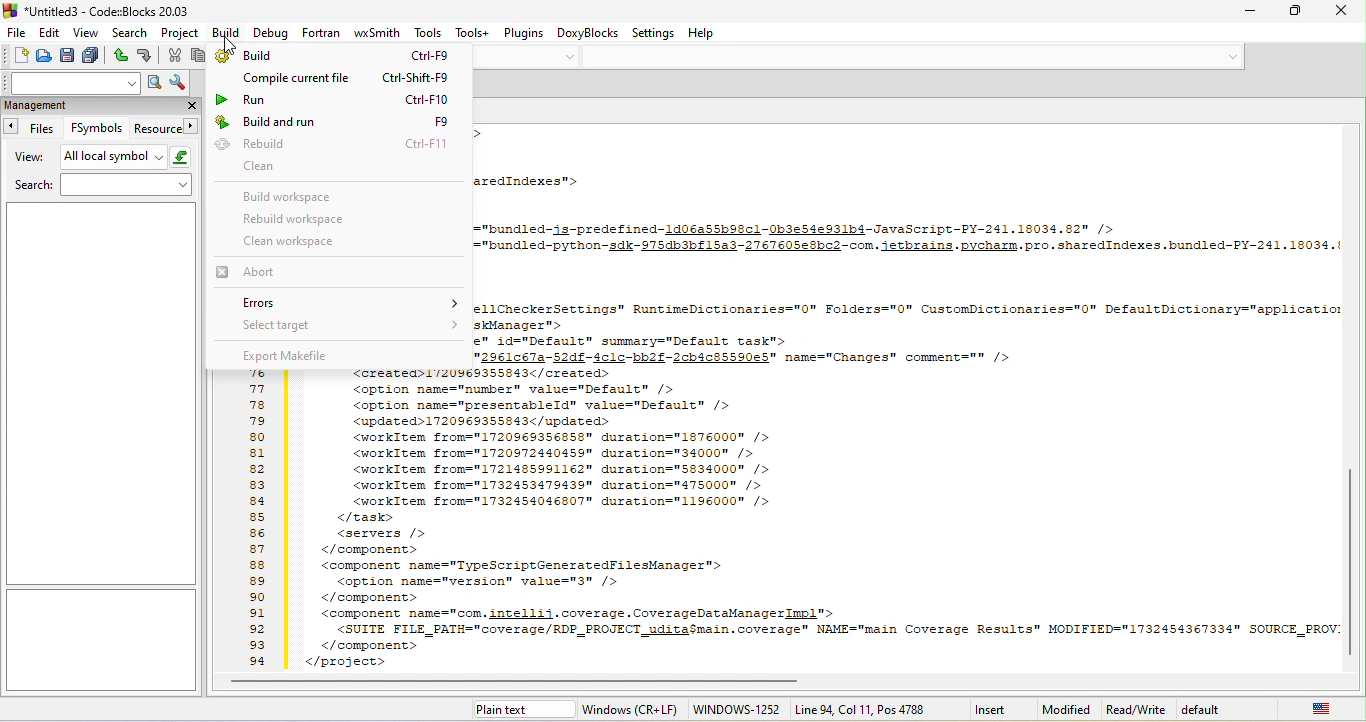 The image size is (1366, 722). What do you see at coordinates (49, 32) in the screenshot?
I see `edit` at bounding box center [49, 32].